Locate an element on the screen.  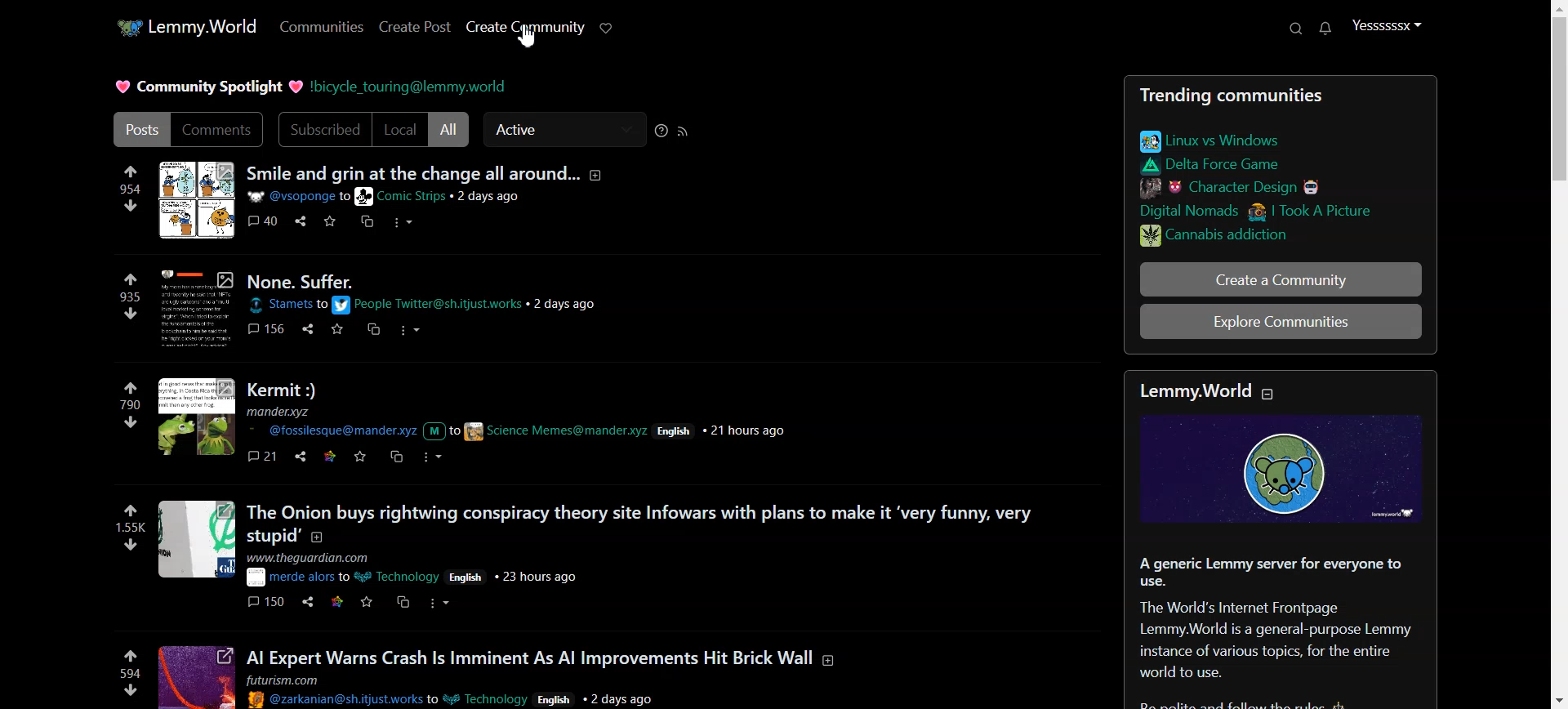
posts is located at coordinates (309, 281).